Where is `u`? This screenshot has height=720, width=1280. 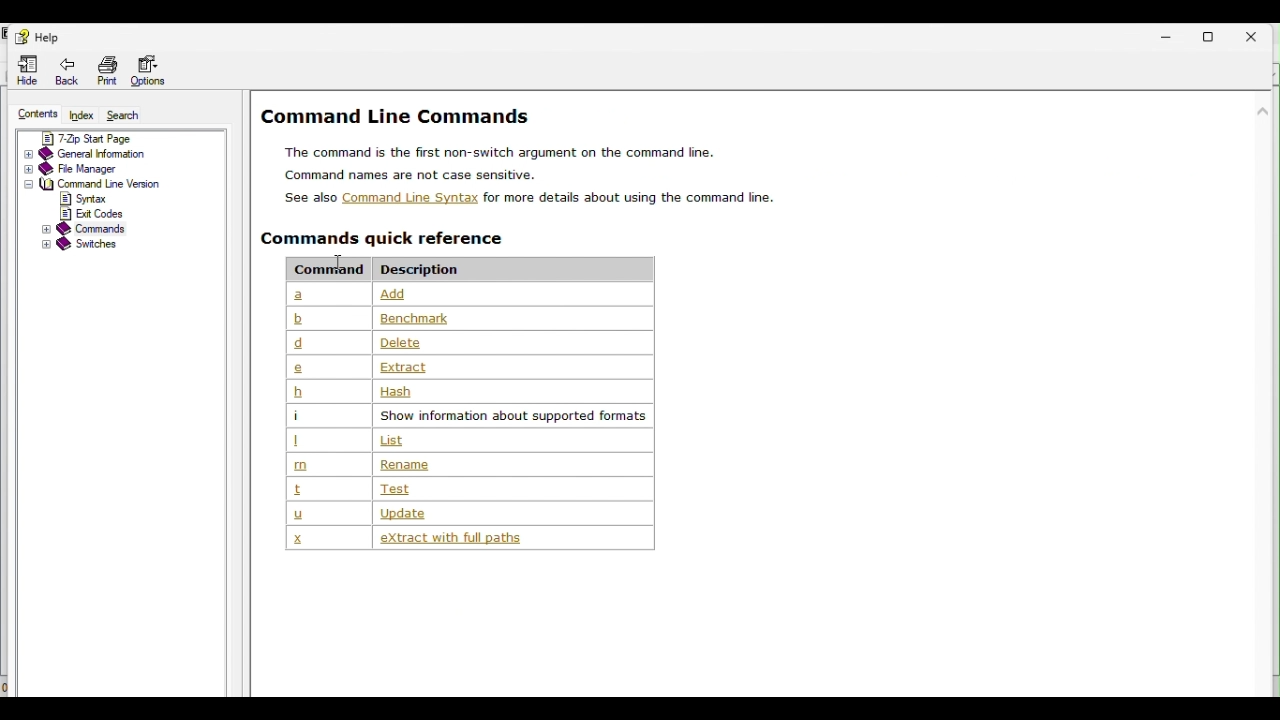
u is located at coordinates (297, 514).